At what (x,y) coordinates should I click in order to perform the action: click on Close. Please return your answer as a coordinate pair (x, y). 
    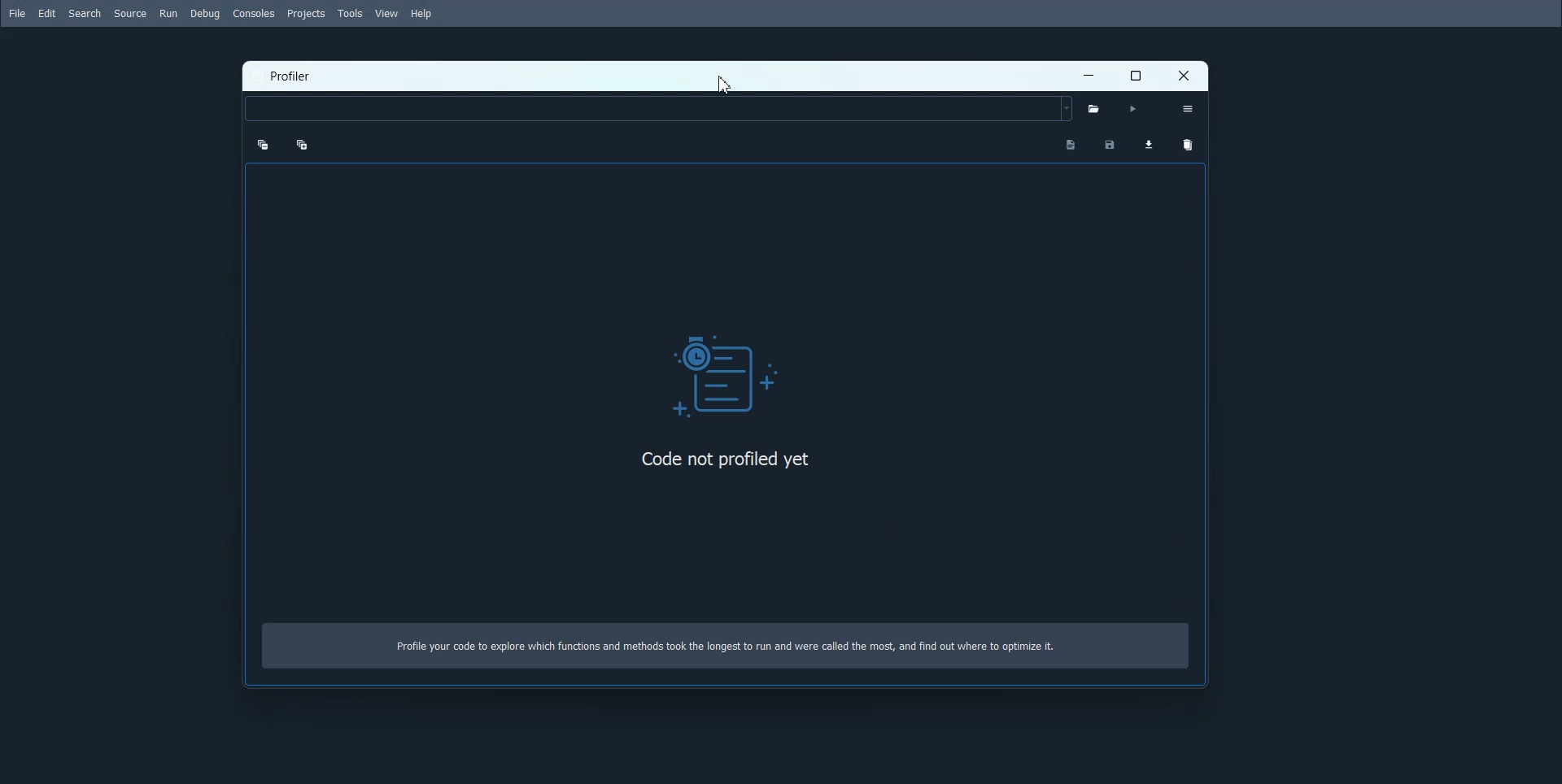
    Looking at the image, I should click on (1182, 75).